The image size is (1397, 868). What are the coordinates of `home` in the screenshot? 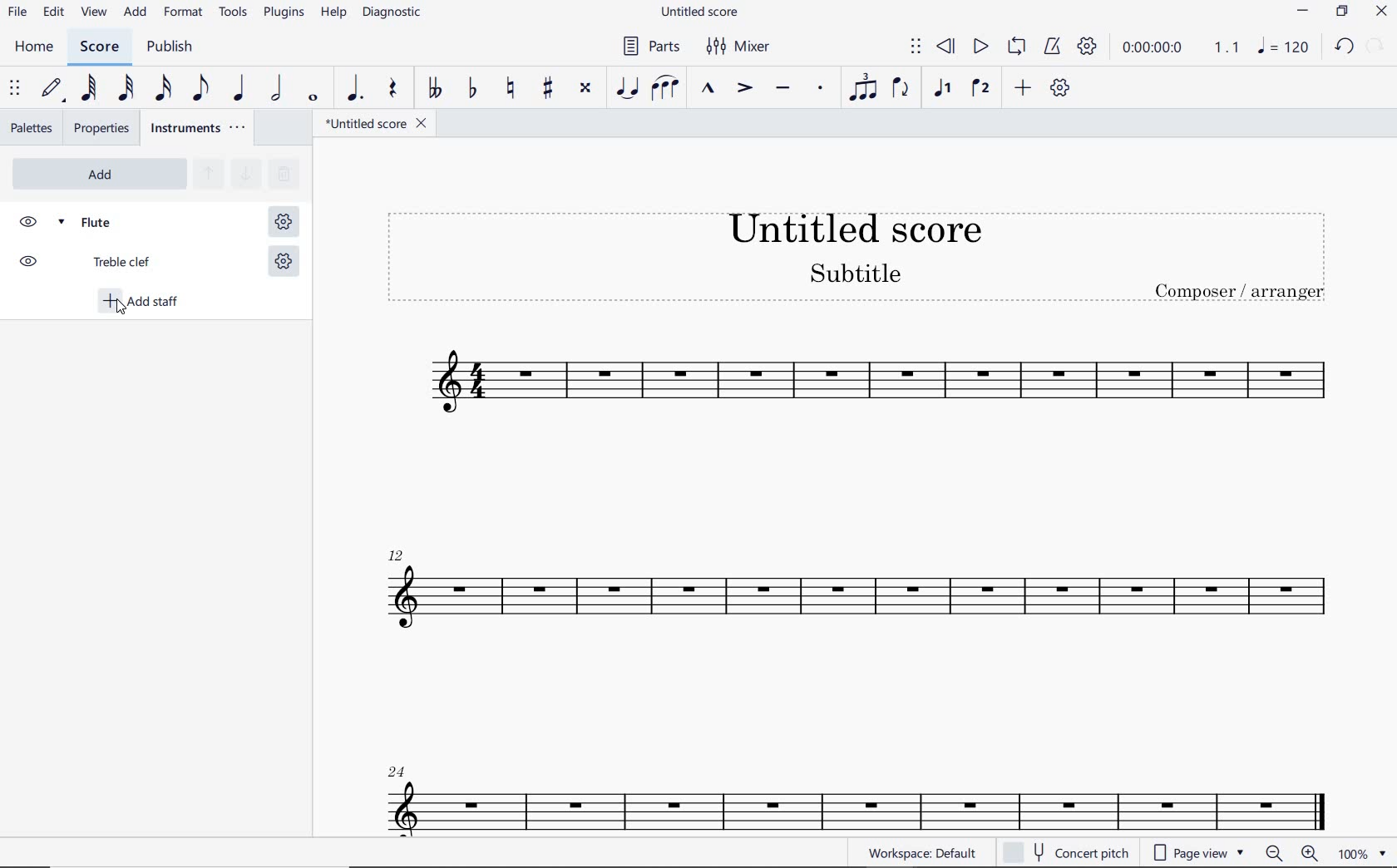 It's located at (38, 49).